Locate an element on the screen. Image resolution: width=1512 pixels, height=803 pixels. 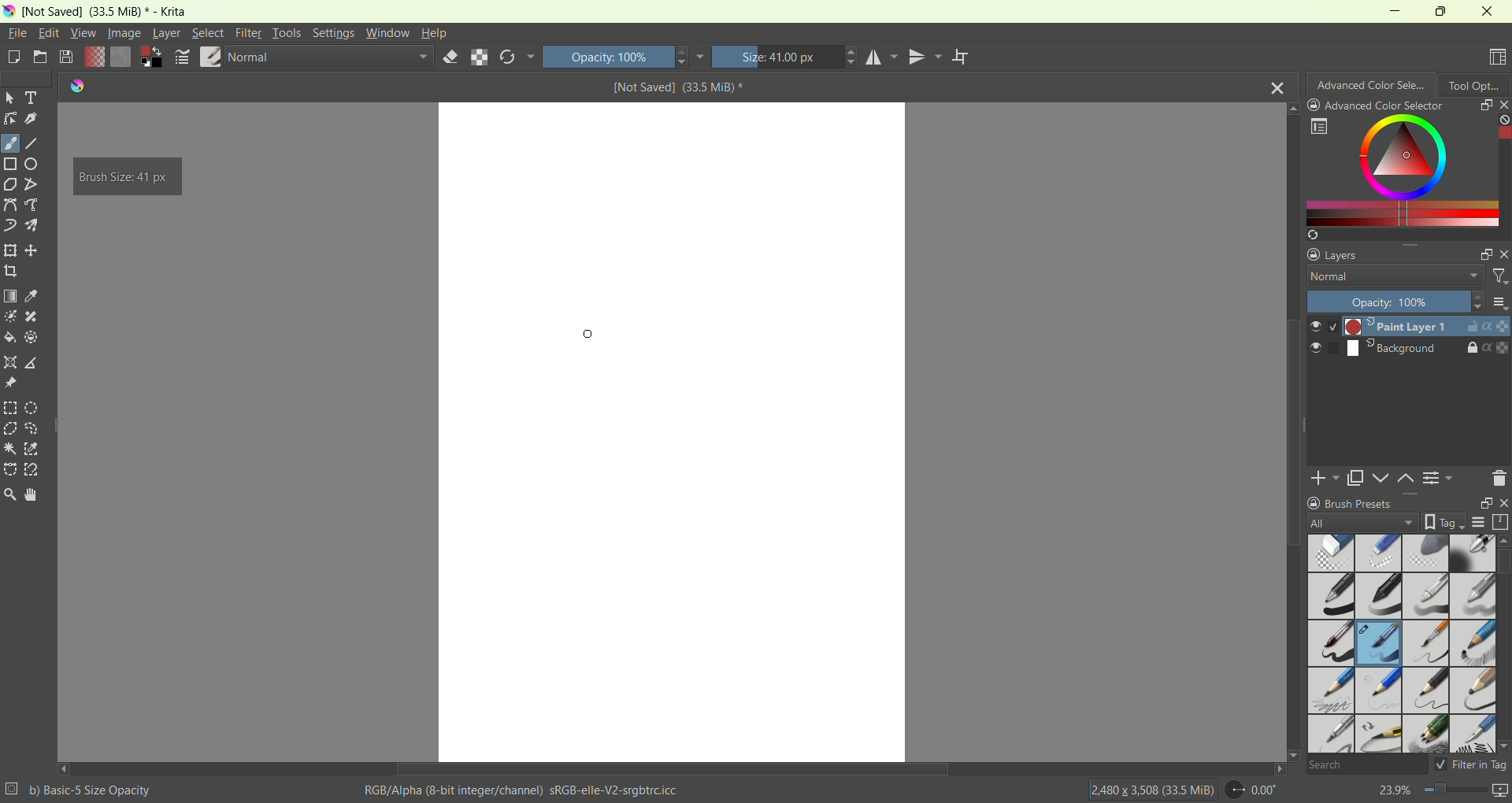
ellipse is located at coordinates (35, 164).